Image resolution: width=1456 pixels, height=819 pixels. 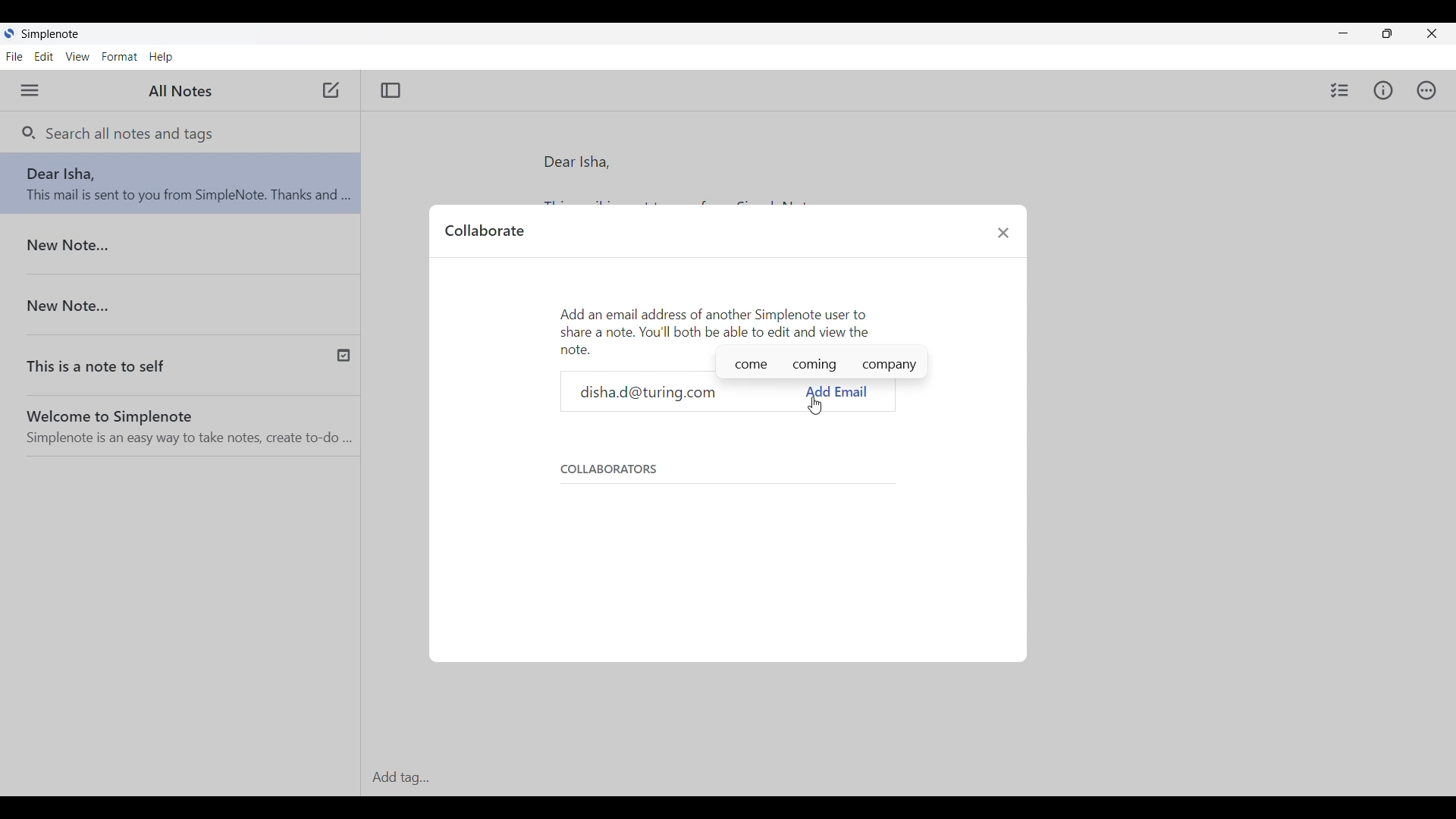 What do you see at coordinates (391, 90) in the screenshot?
I see `Toggle focus mode` at bounding box center [391, 90].